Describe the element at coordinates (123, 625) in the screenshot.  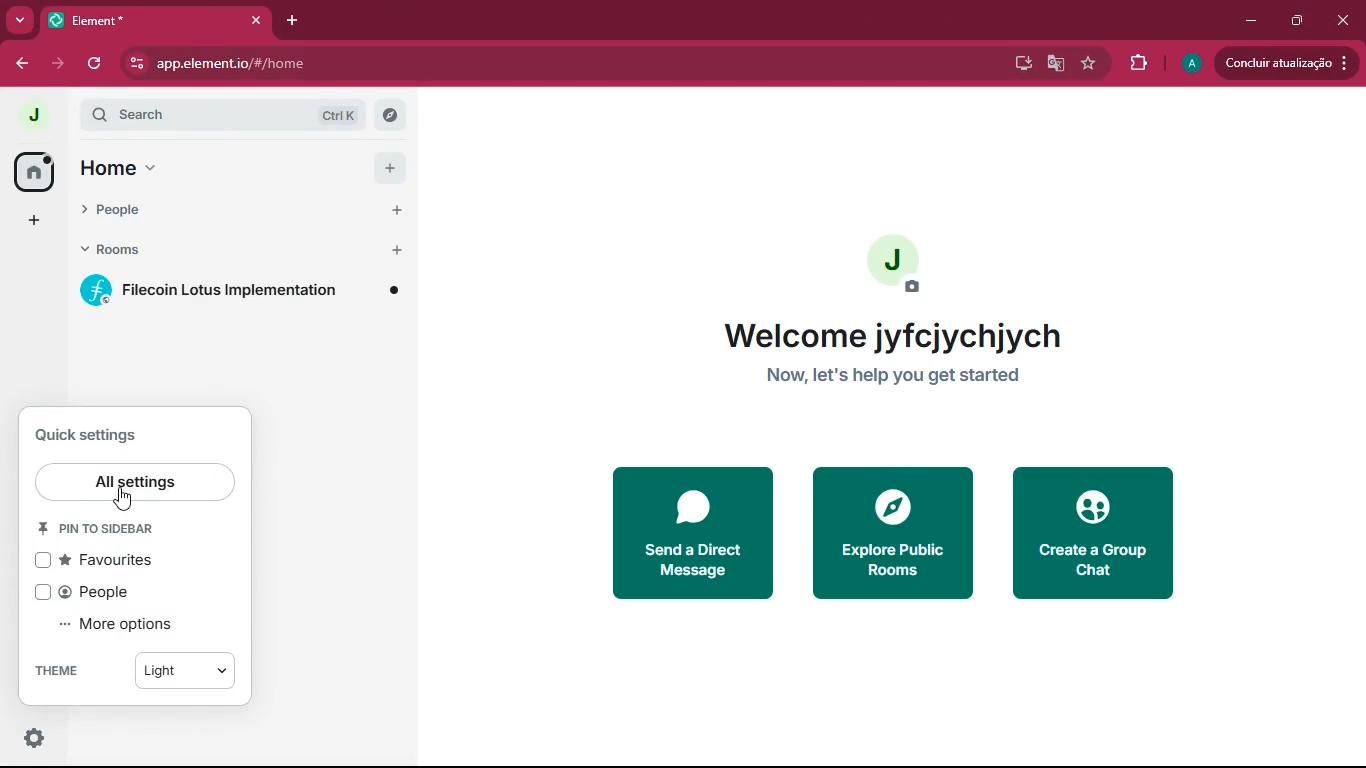
I see `more options` at that location.